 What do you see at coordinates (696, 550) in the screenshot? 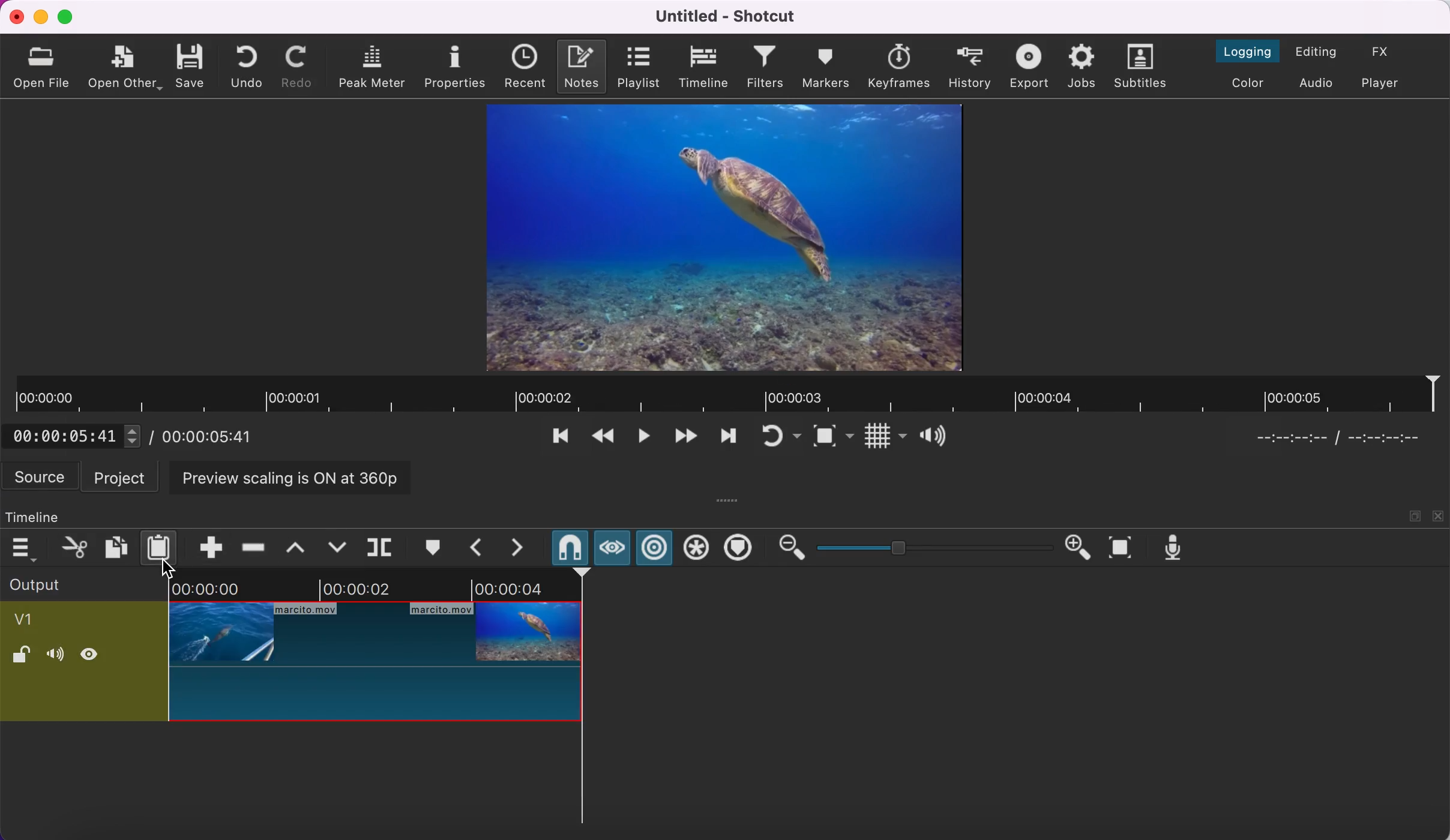
I see `ripple all tracks` at bounding box center [696, 550].